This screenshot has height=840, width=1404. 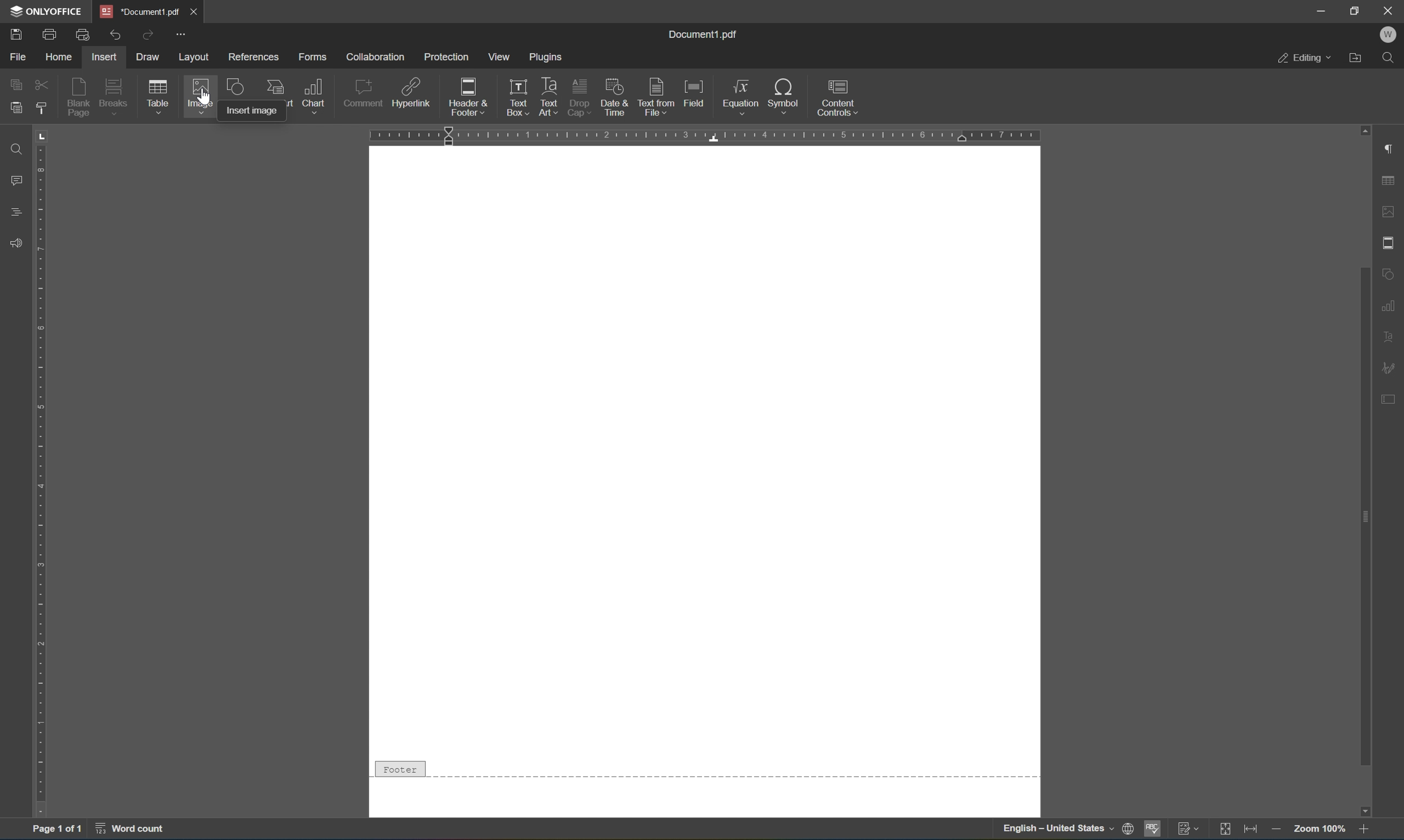 What do you see at coordinates (784, 95) in the screenshot?
I see `symbol` at bounding box center [784, 95].